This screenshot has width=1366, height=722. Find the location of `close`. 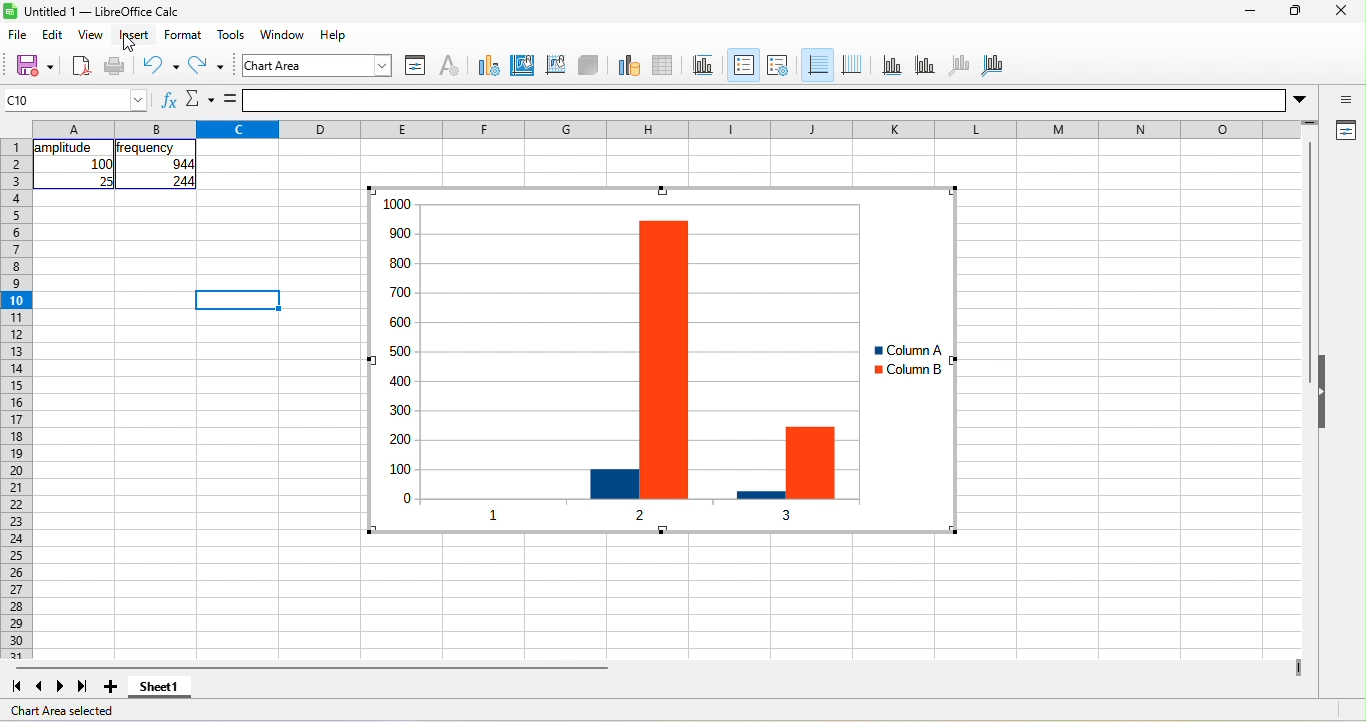

close is located at coordinates (1340, 13).